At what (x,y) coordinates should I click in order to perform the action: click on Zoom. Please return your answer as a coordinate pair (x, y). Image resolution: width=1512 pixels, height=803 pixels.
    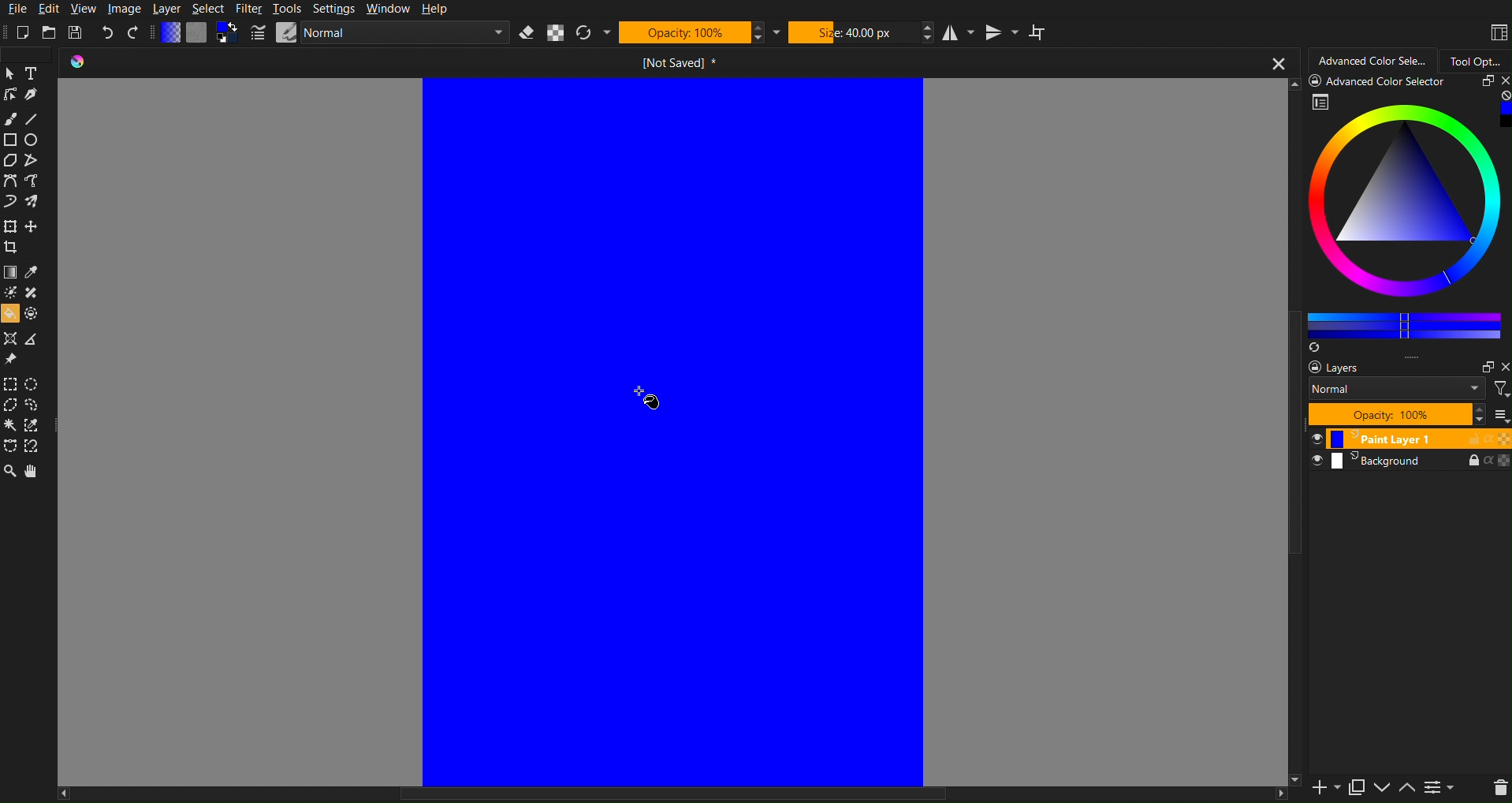
    Looking at the image, I should click on (10, 472).